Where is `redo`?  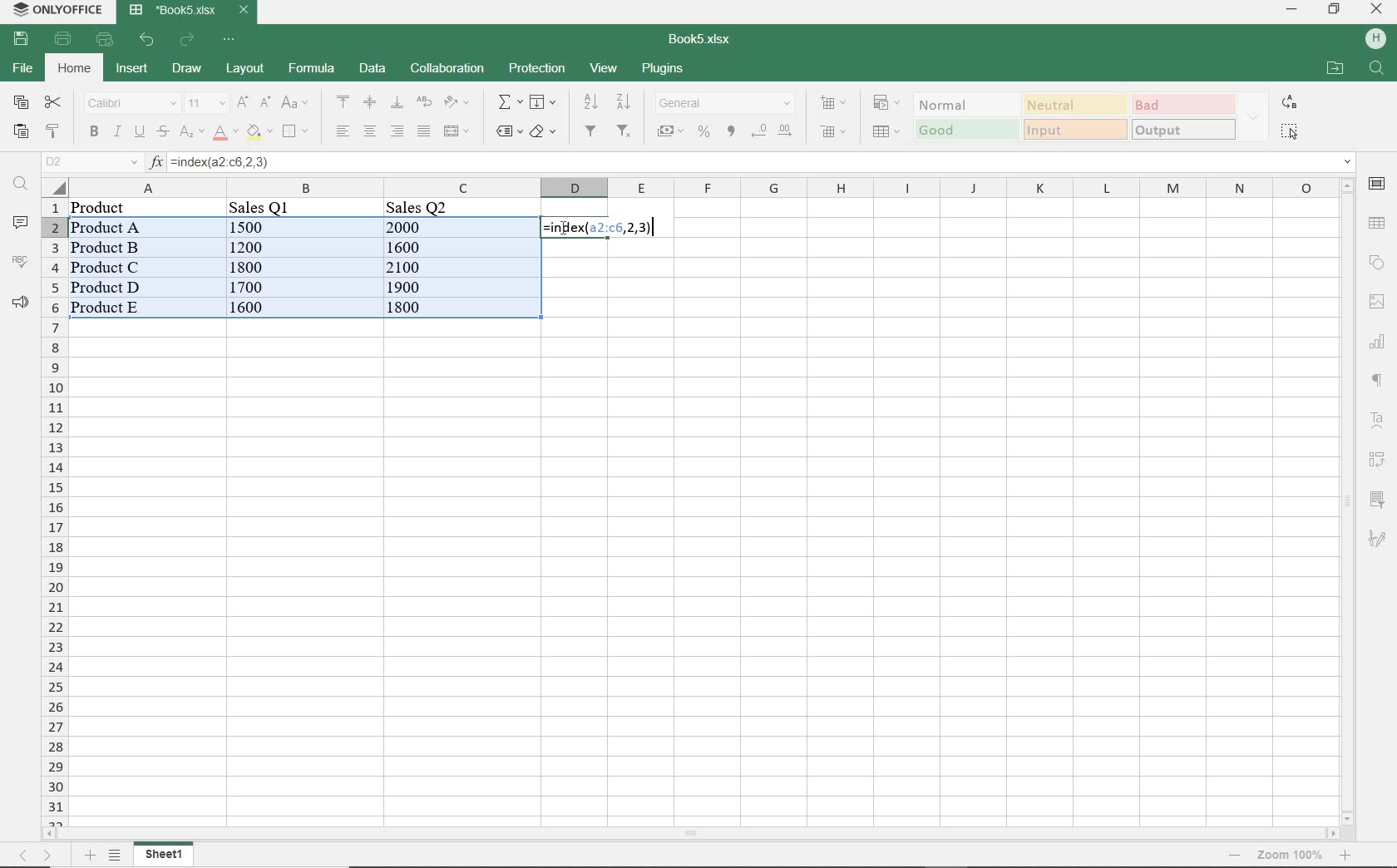
redo is located at coordinates (189, 39).